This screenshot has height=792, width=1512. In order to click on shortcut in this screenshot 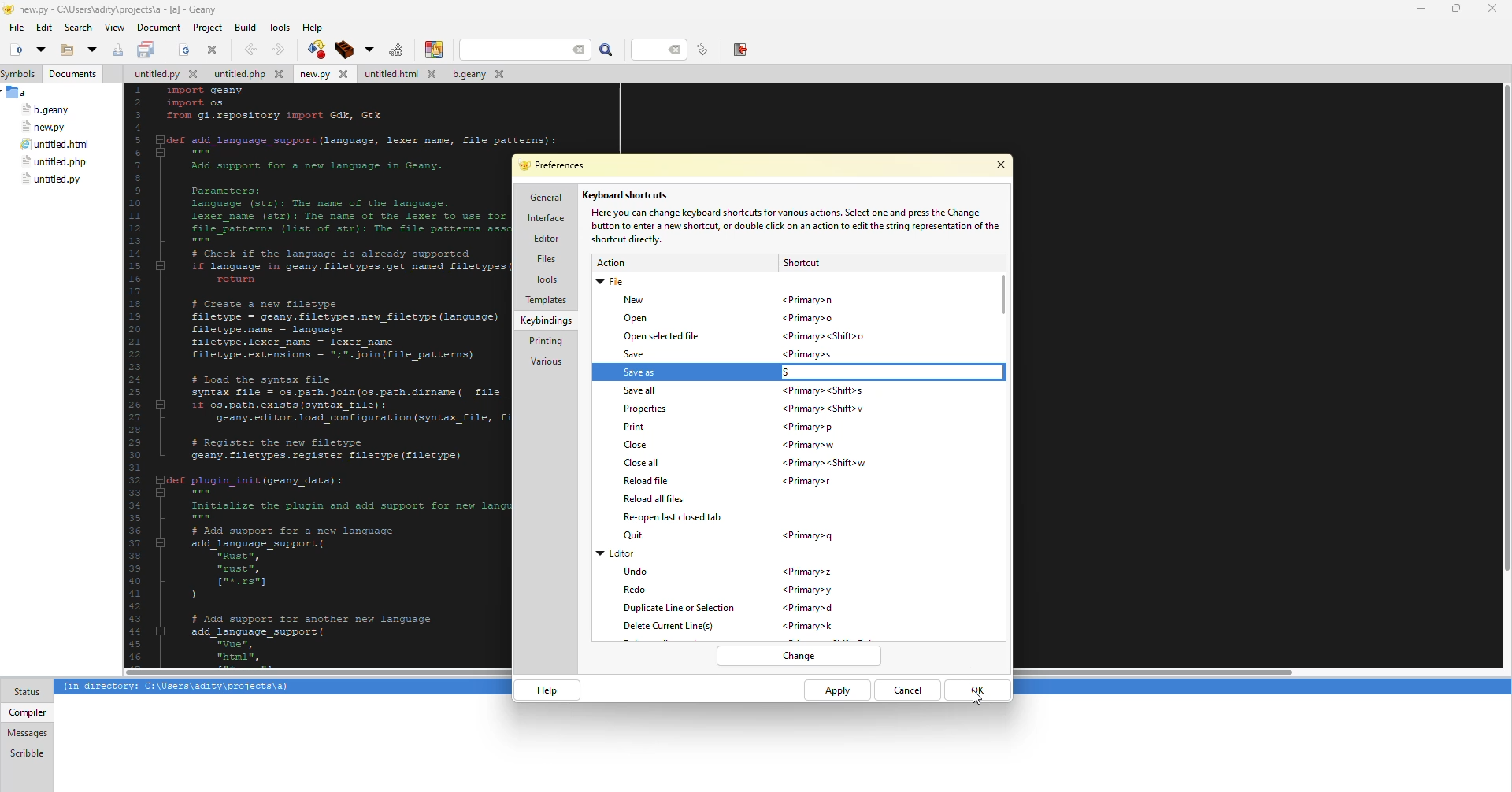, I will do `click(821, 390)`.